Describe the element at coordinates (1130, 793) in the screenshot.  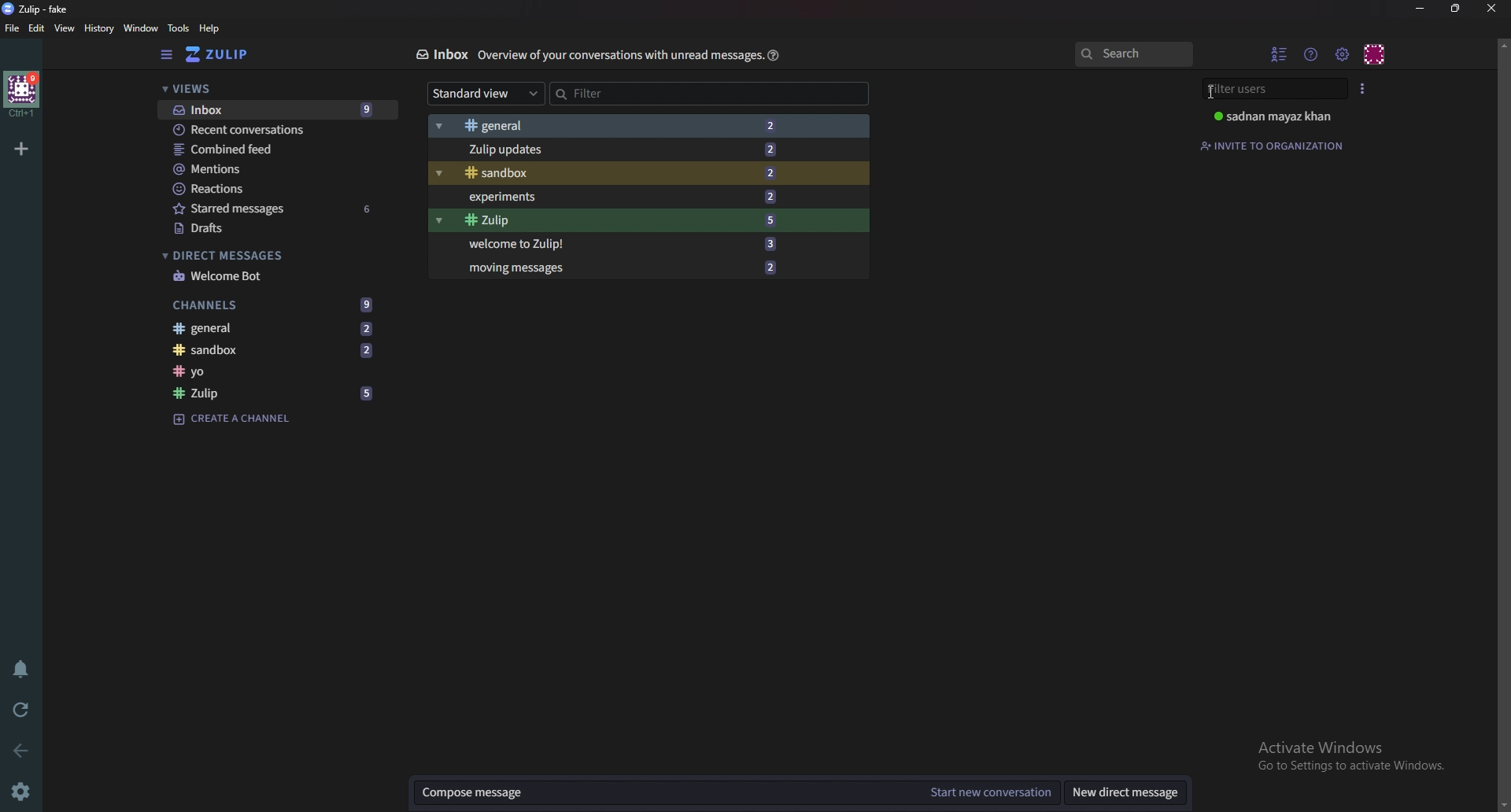
I see `New direct message` at that location.